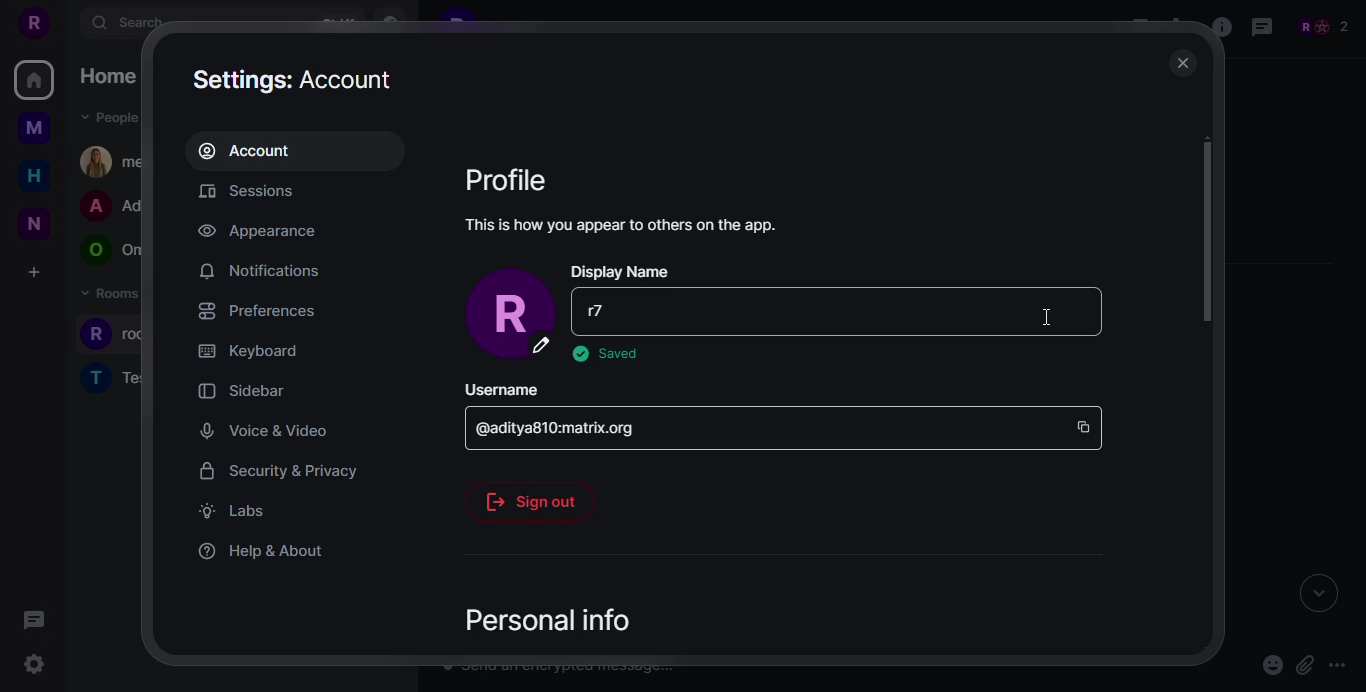  What do you see at coordinates (1303, 665) in the screenshot?
I see `attach` at bounding box center [1303, 665].